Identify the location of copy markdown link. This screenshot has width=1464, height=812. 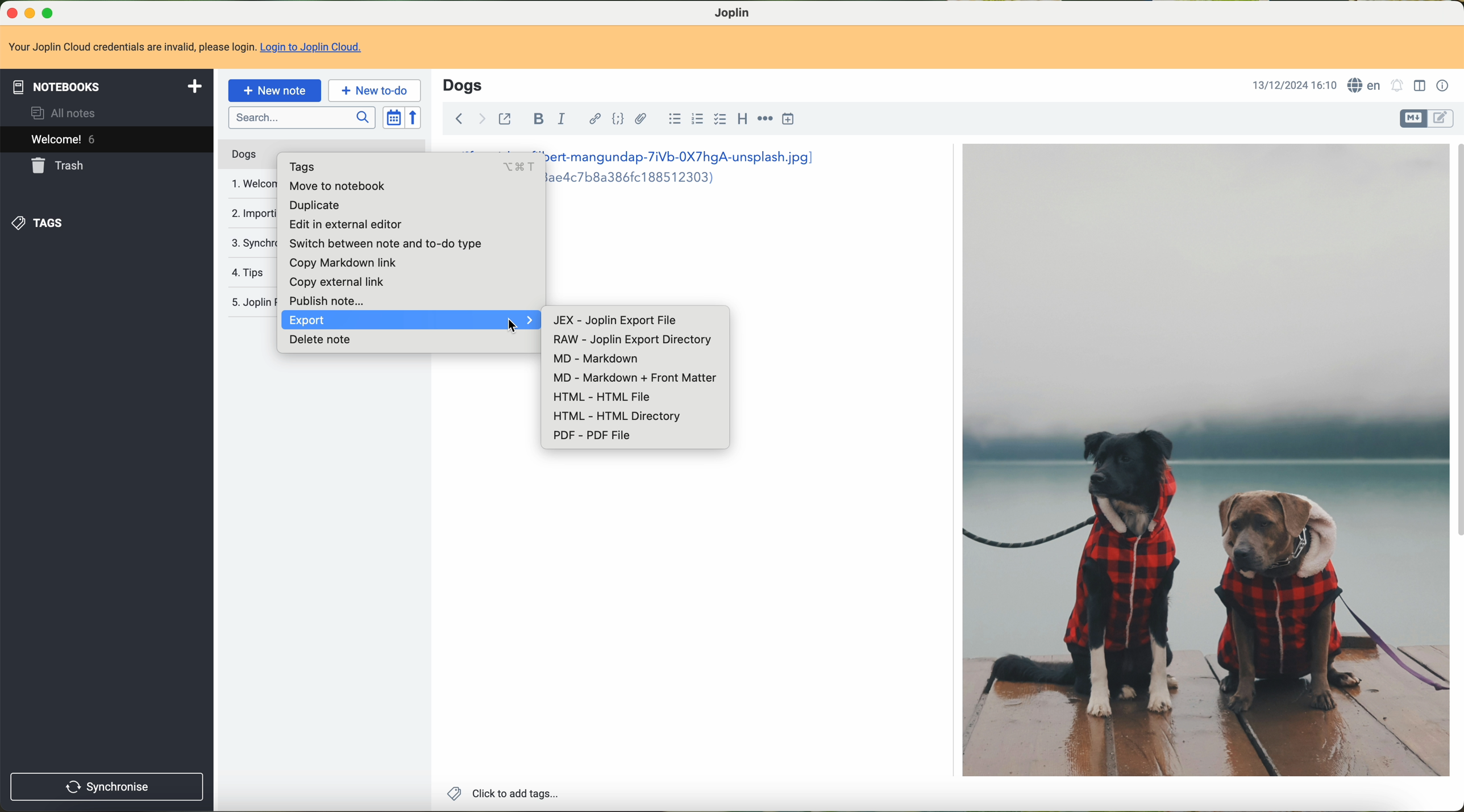
(343, 263).